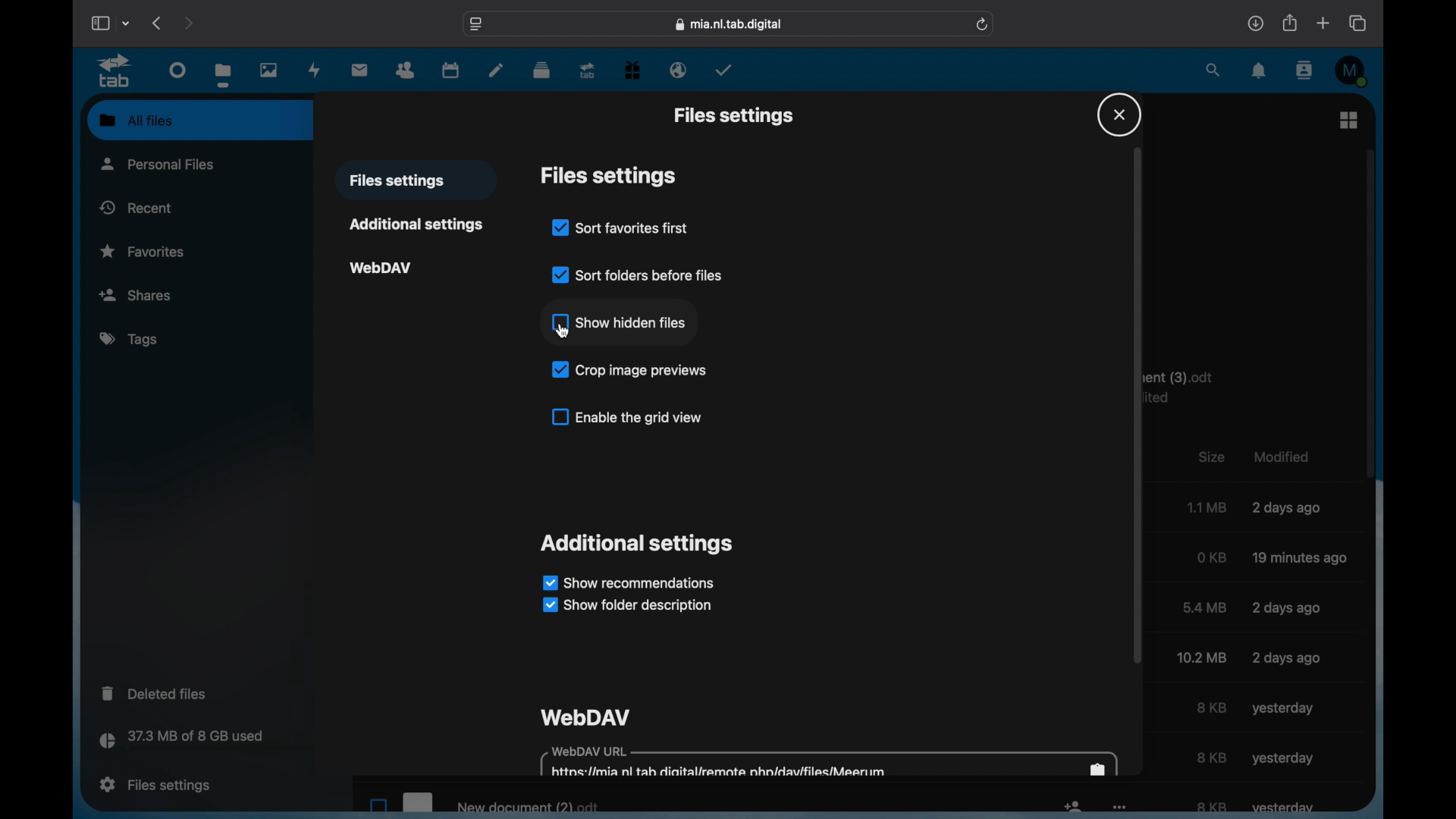 The height and width of the screenshot is (819, 1456). Describe the element at coordinates (629, 369) in the screenshot. I see `crop image previews` at that location.